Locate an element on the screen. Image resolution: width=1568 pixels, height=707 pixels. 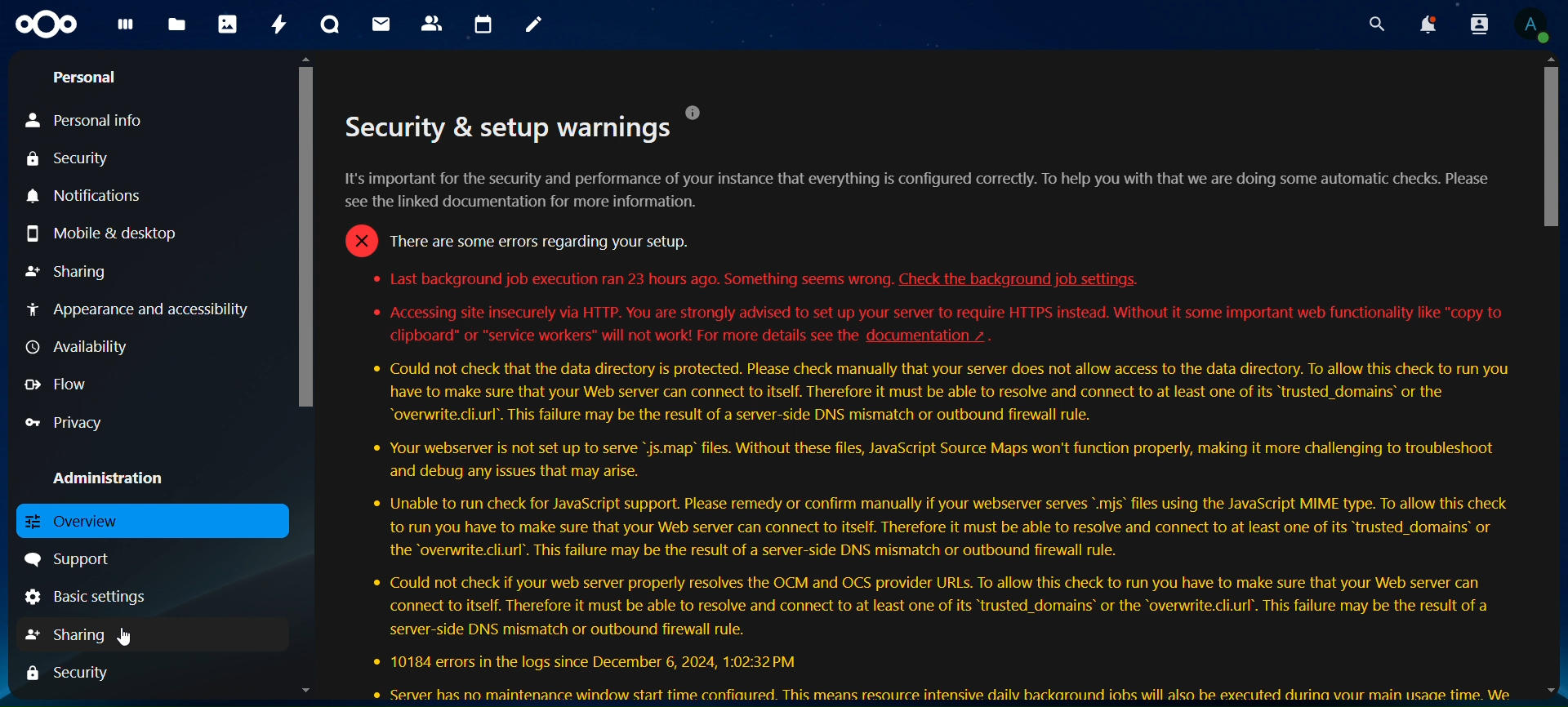
mail is located at coordinates (378, 24).